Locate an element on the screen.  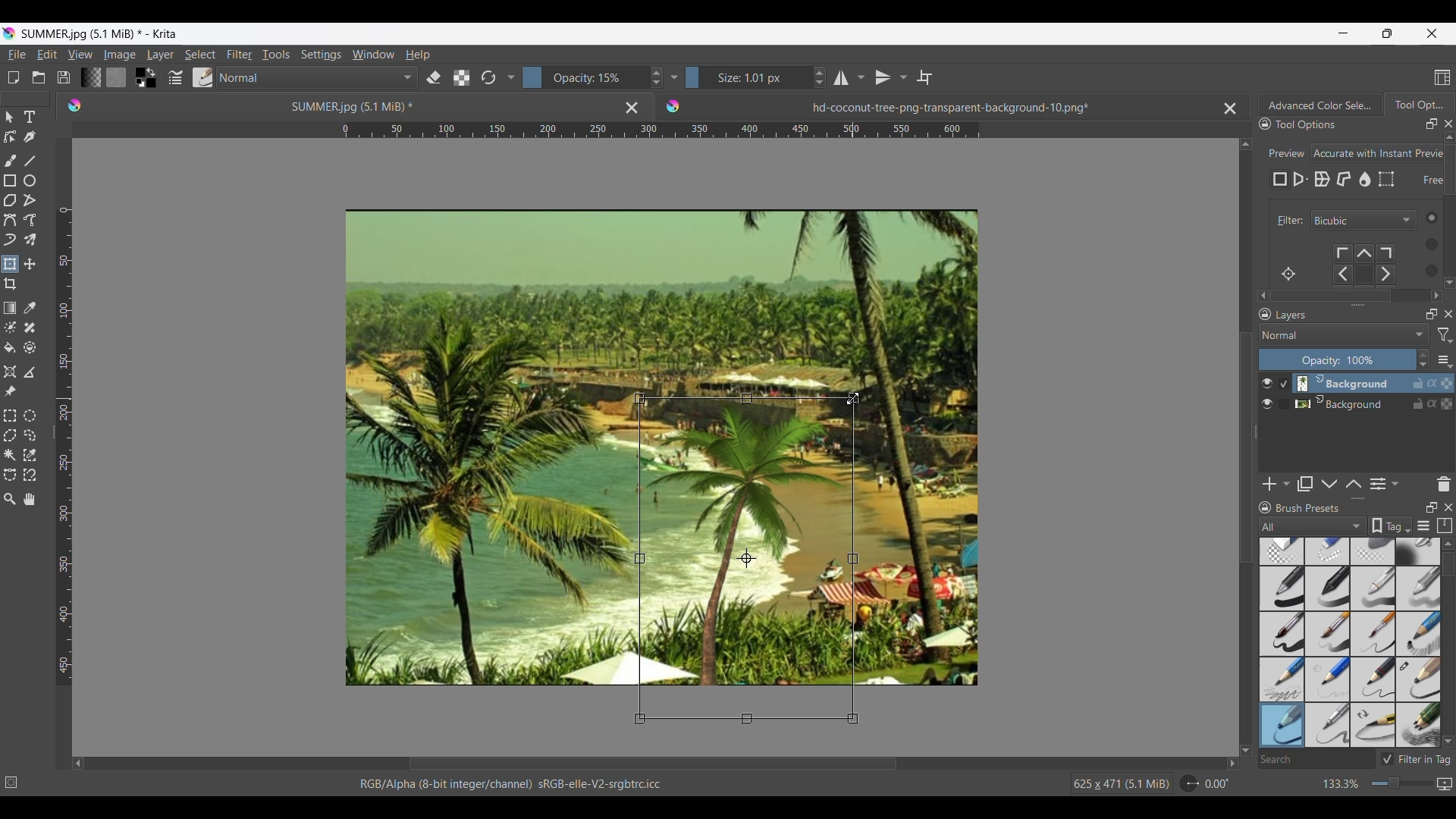
Filter in Tag is located at coordinates (1418, 759).